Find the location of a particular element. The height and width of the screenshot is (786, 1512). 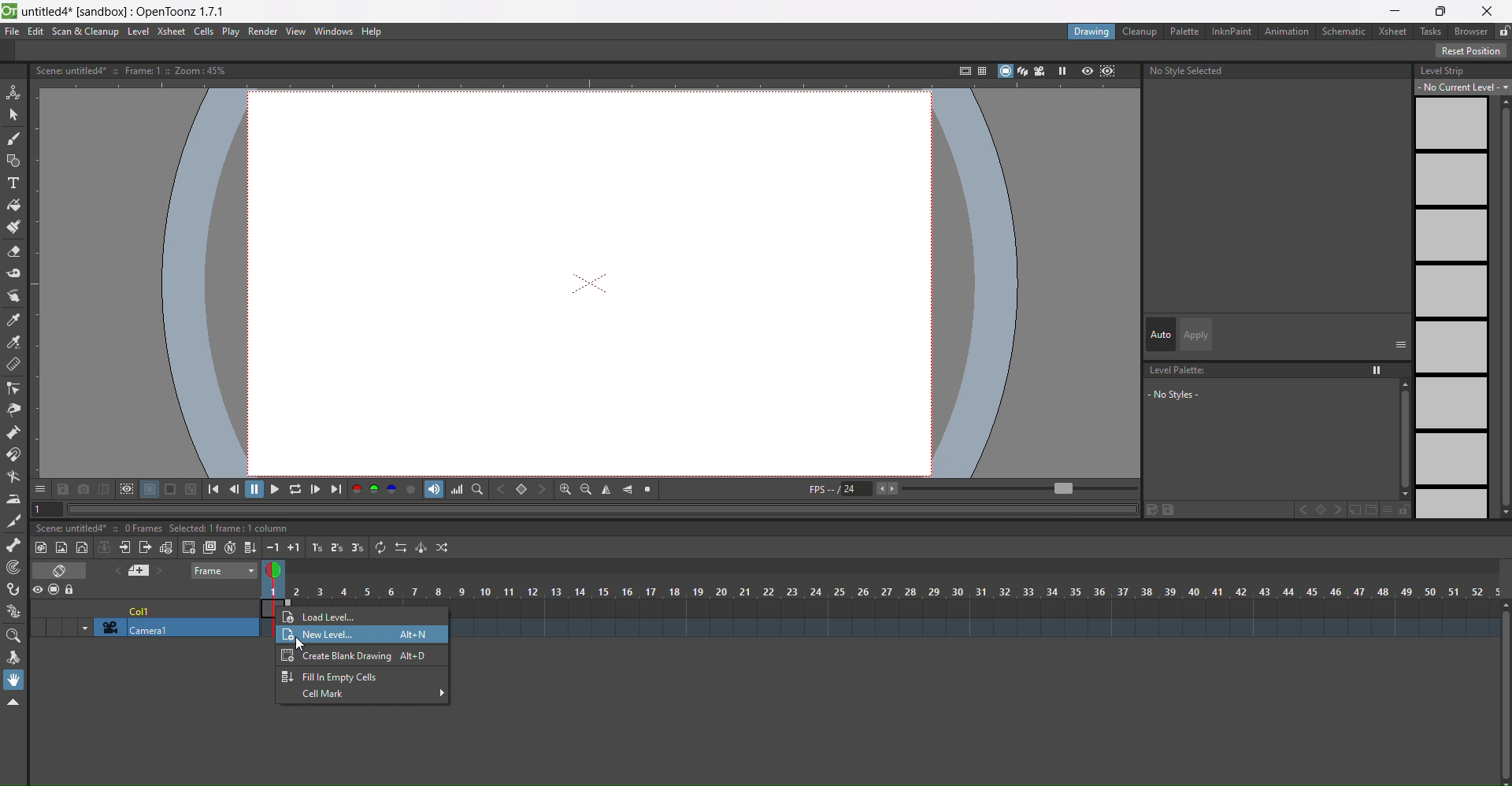

skeleton tool is located at coordinates (14, 545).